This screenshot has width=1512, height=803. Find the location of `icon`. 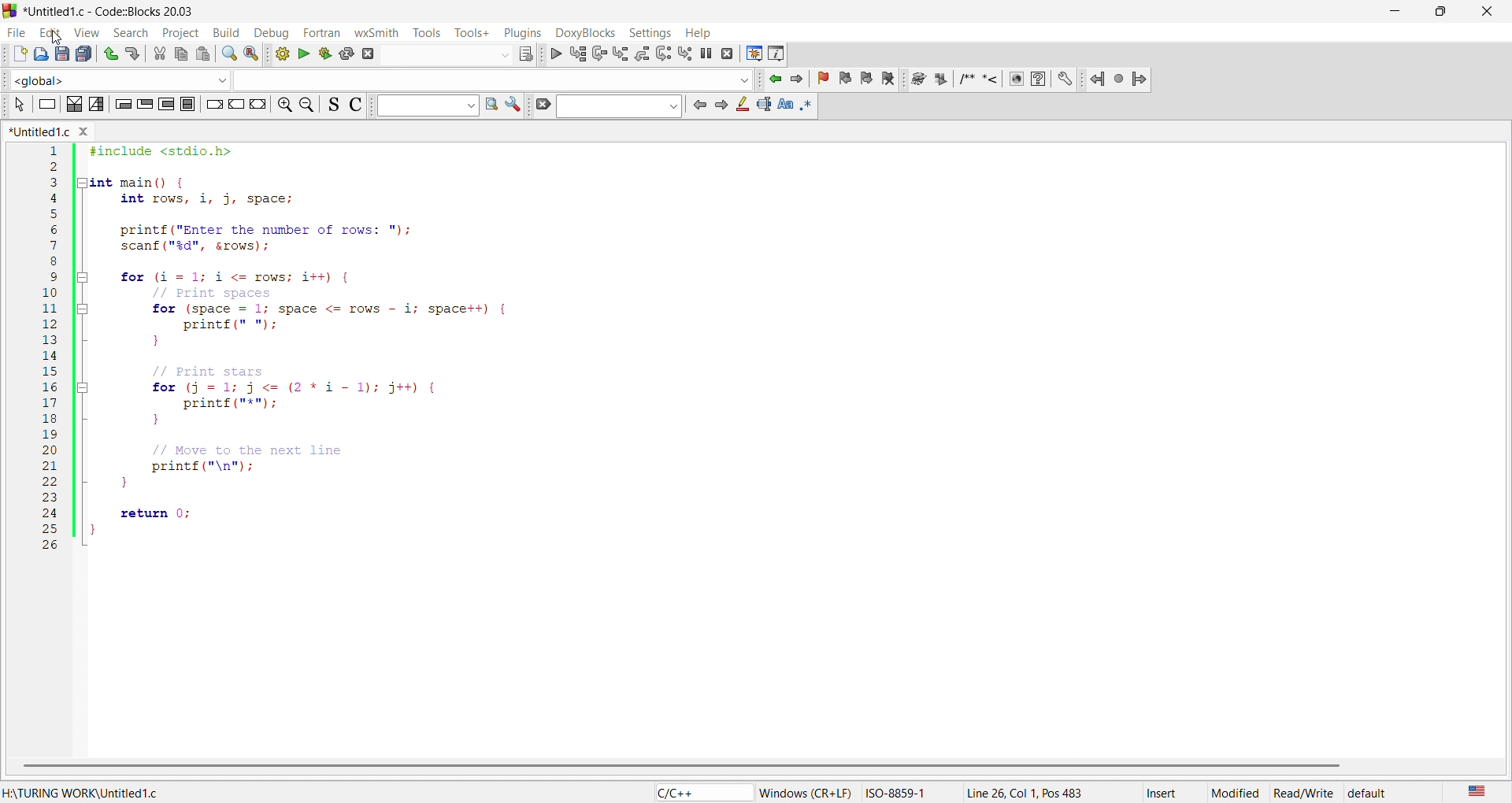

icon is located at coordinates (354, 105).